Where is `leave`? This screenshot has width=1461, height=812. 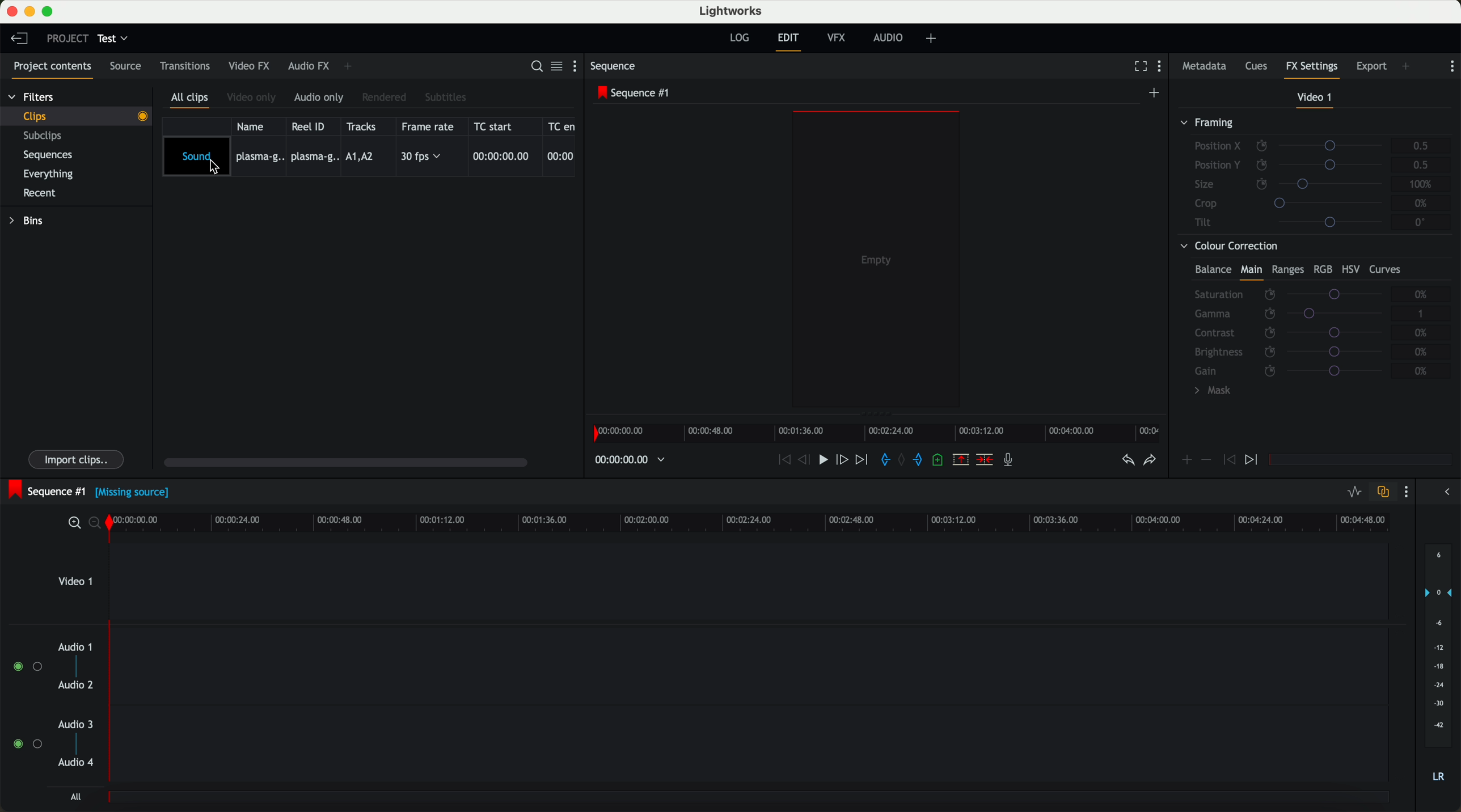
leave is located at coordinates (22, 41).